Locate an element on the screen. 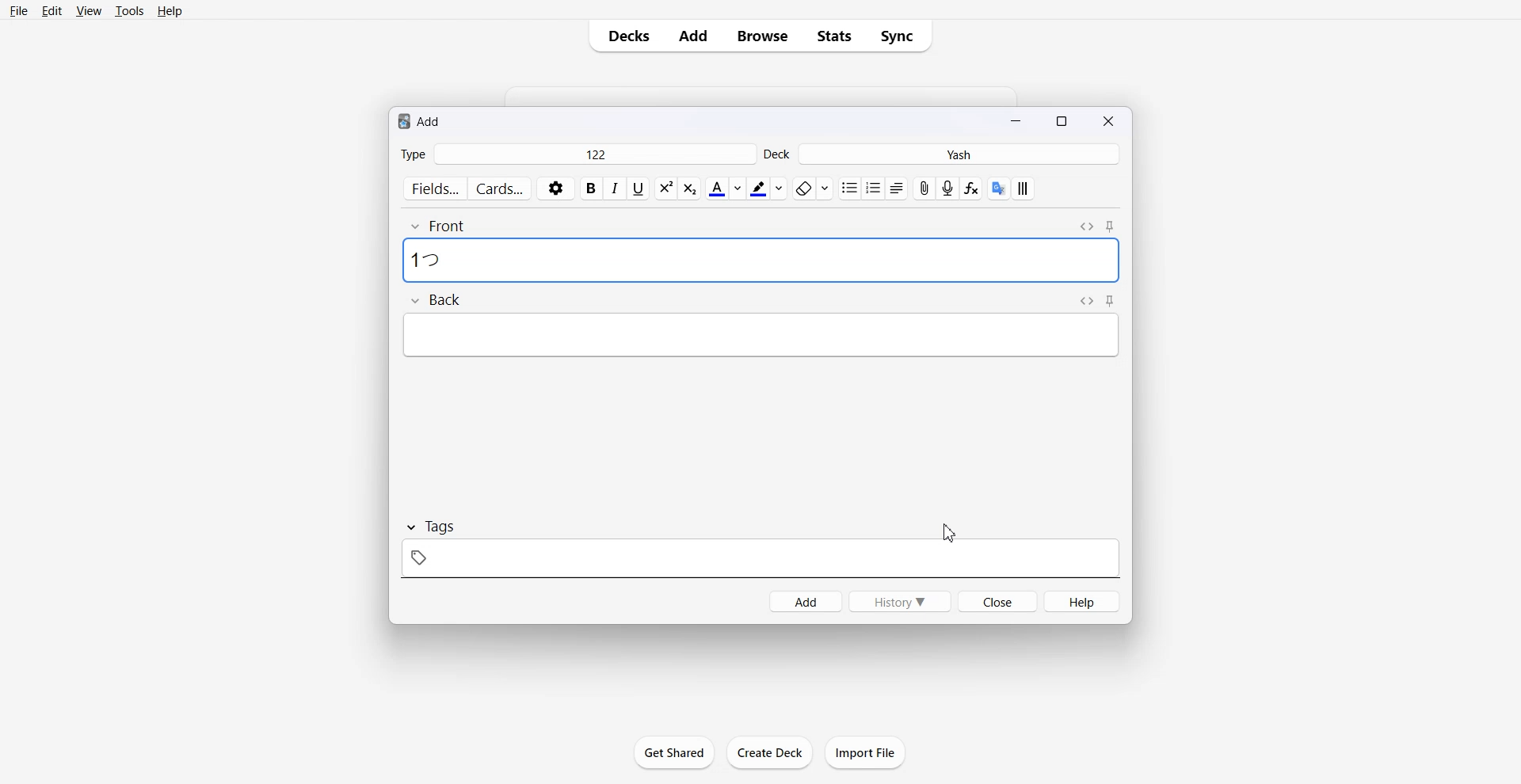 The image size is (1521, 784). Add is located at coordinates (693, 36).